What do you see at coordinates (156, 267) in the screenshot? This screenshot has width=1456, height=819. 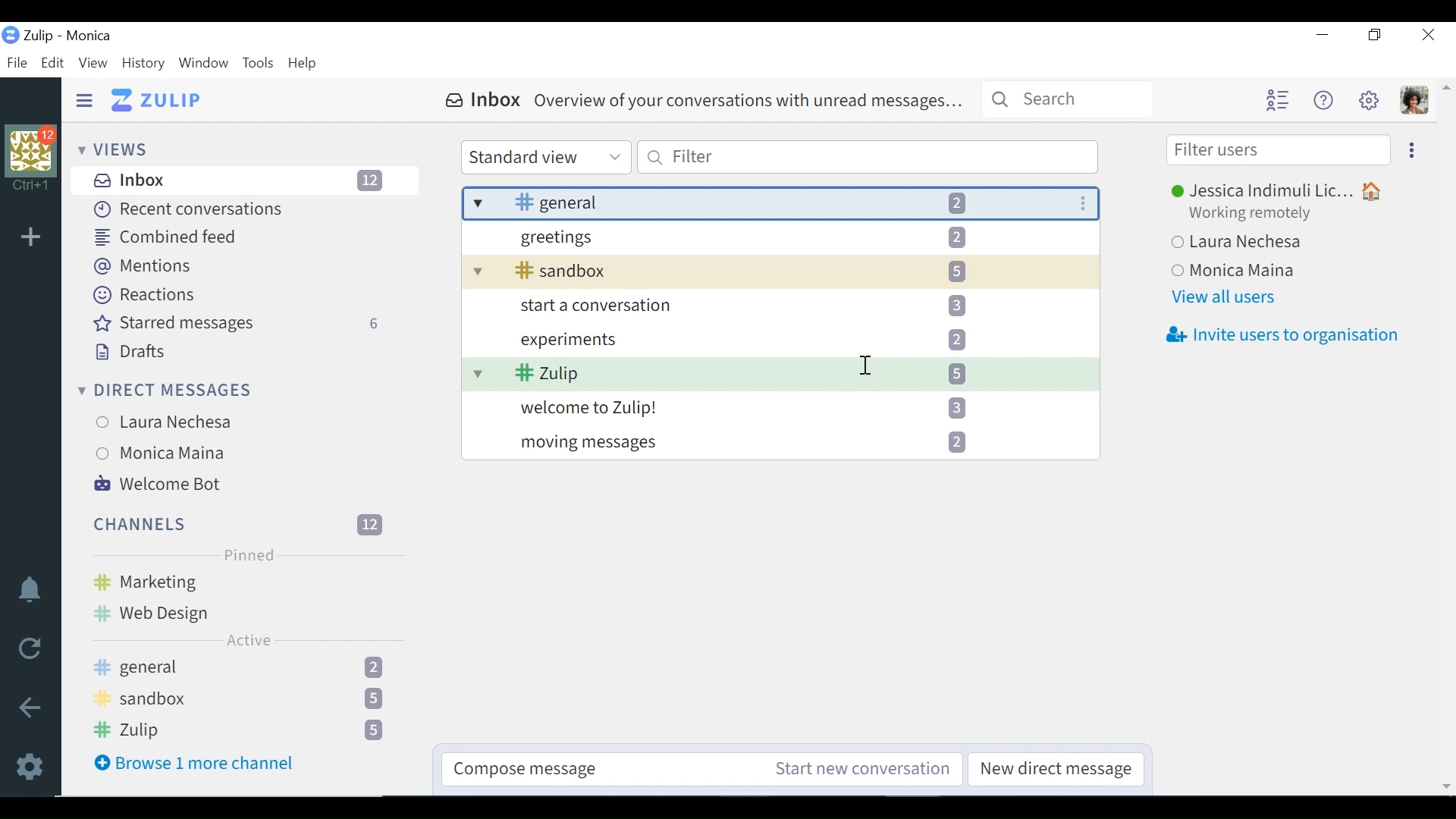 I see `Mentions` at bounding box center [156, 267].